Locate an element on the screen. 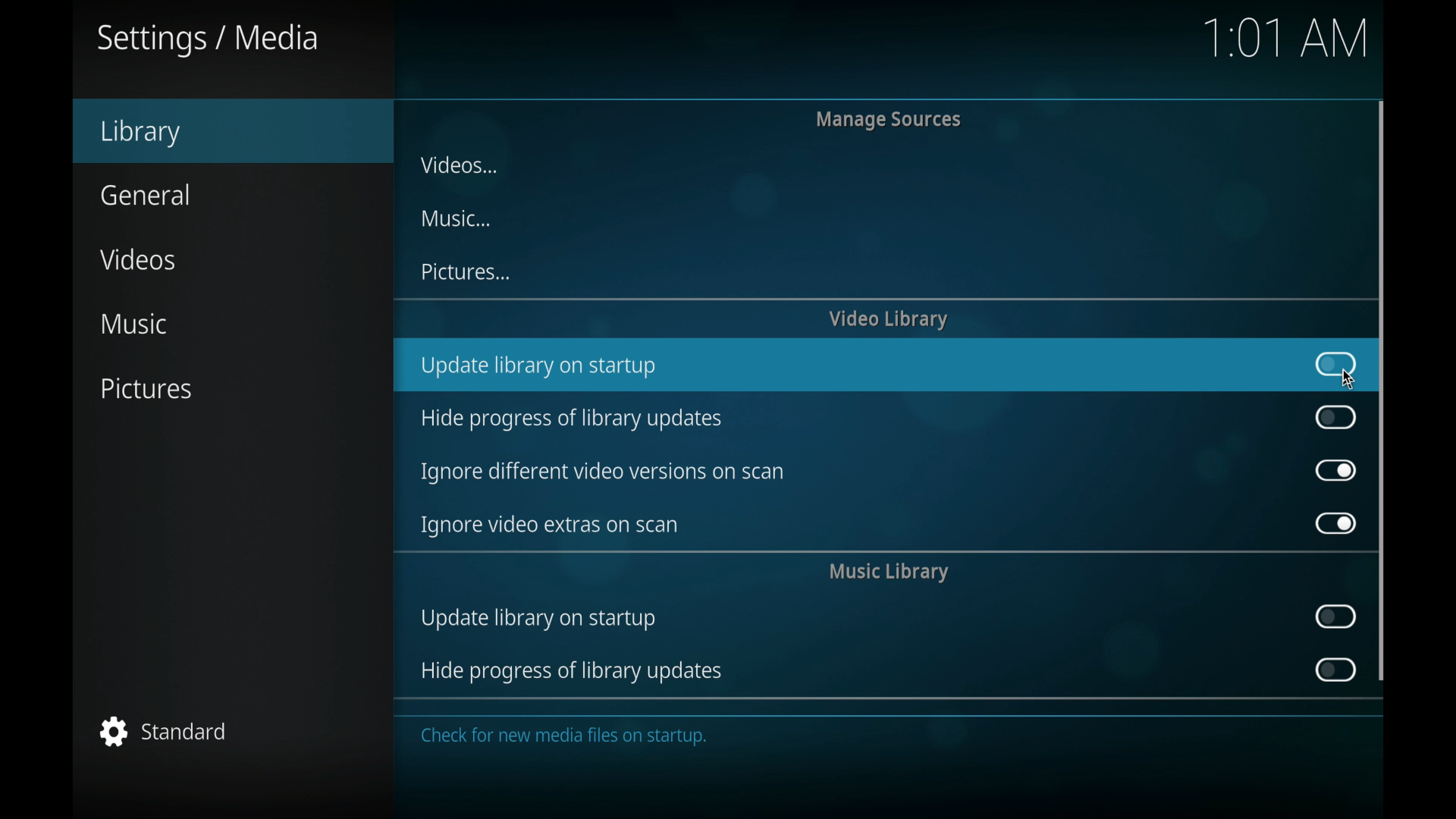  Check for new media files on startup. is located at coordinates (566, 748).